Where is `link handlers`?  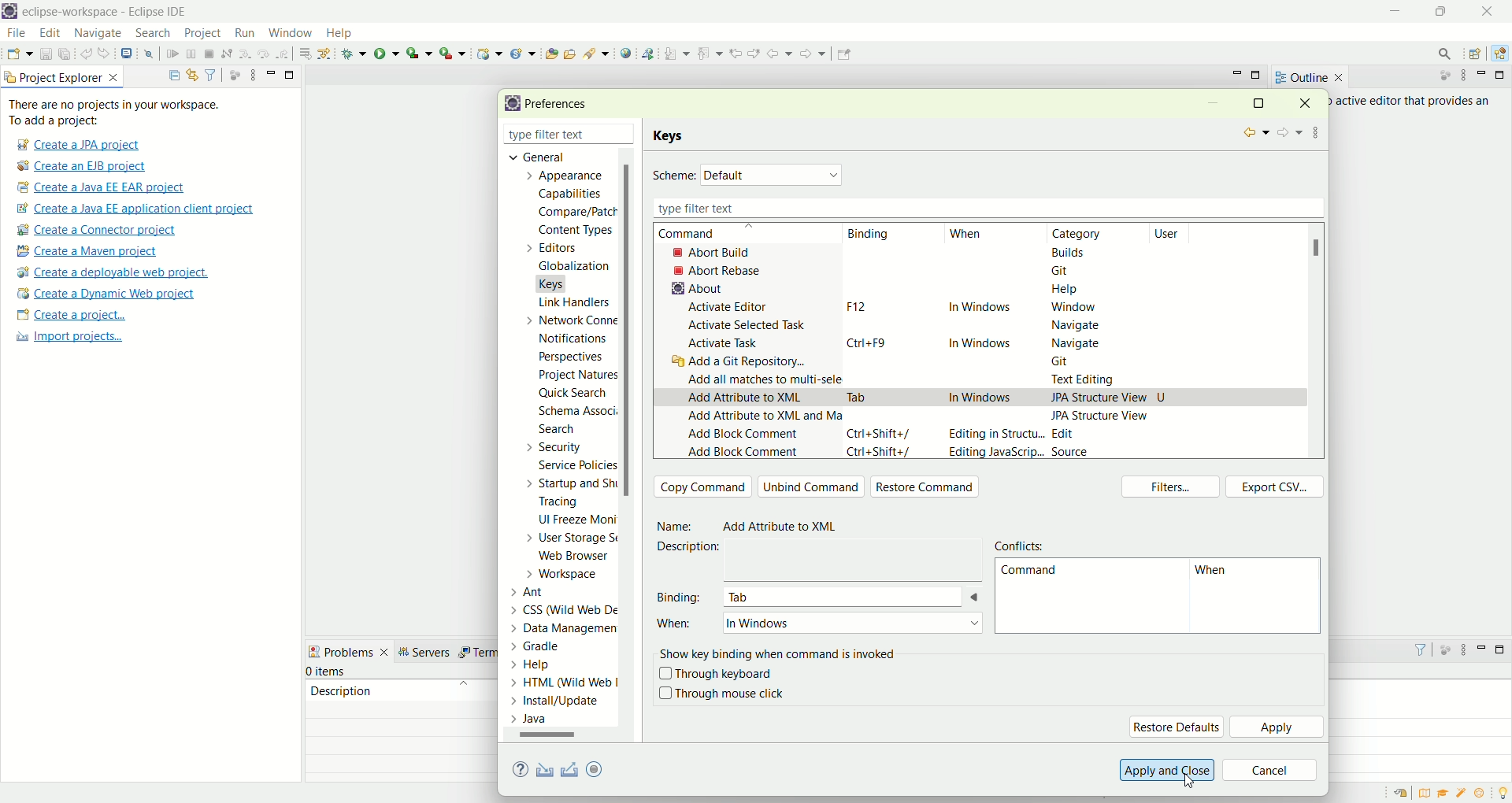
link handlers is located at coordinates (573, 302).